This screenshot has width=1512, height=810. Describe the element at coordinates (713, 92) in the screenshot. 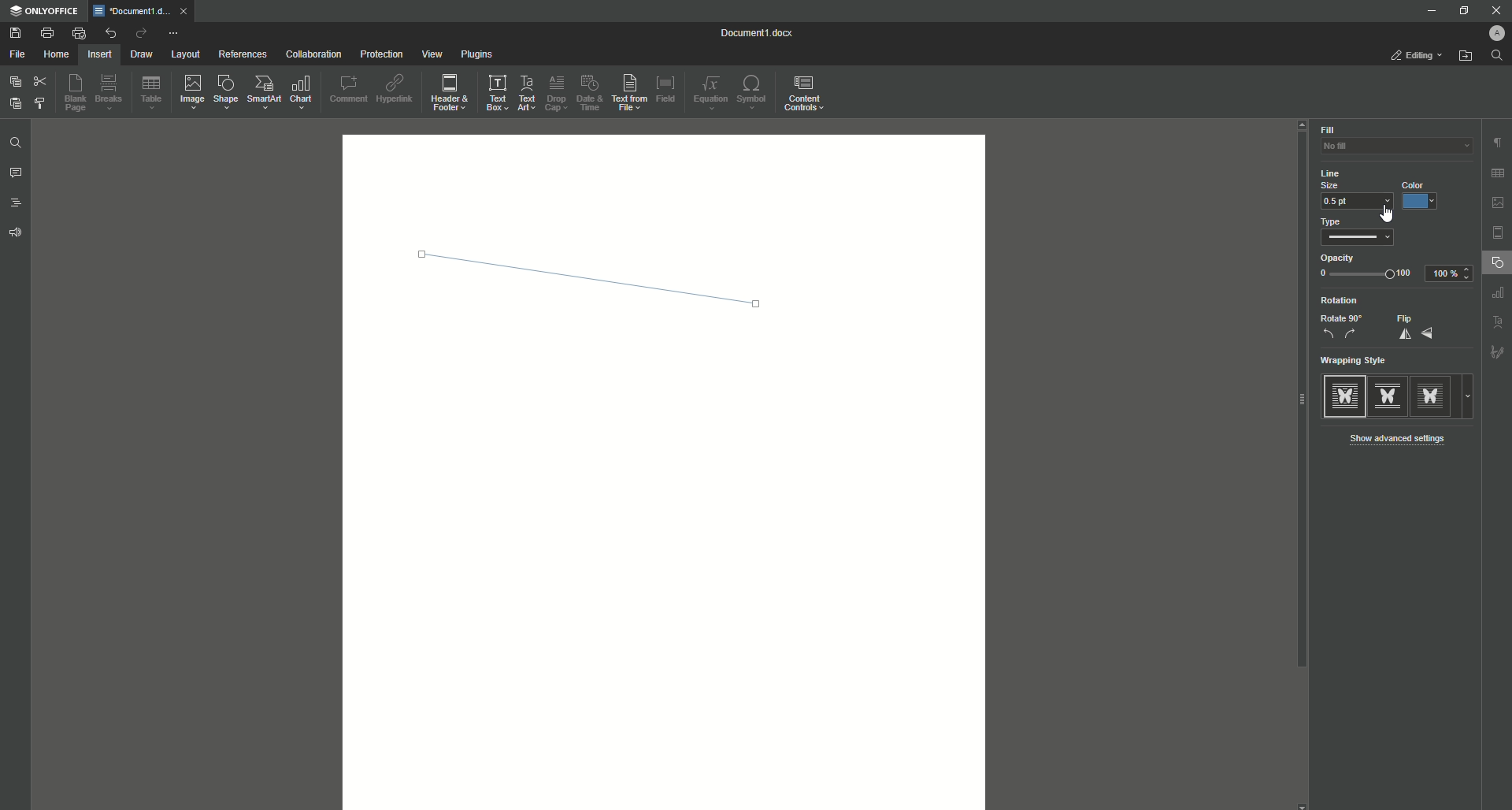

I see `Equation` at that location.